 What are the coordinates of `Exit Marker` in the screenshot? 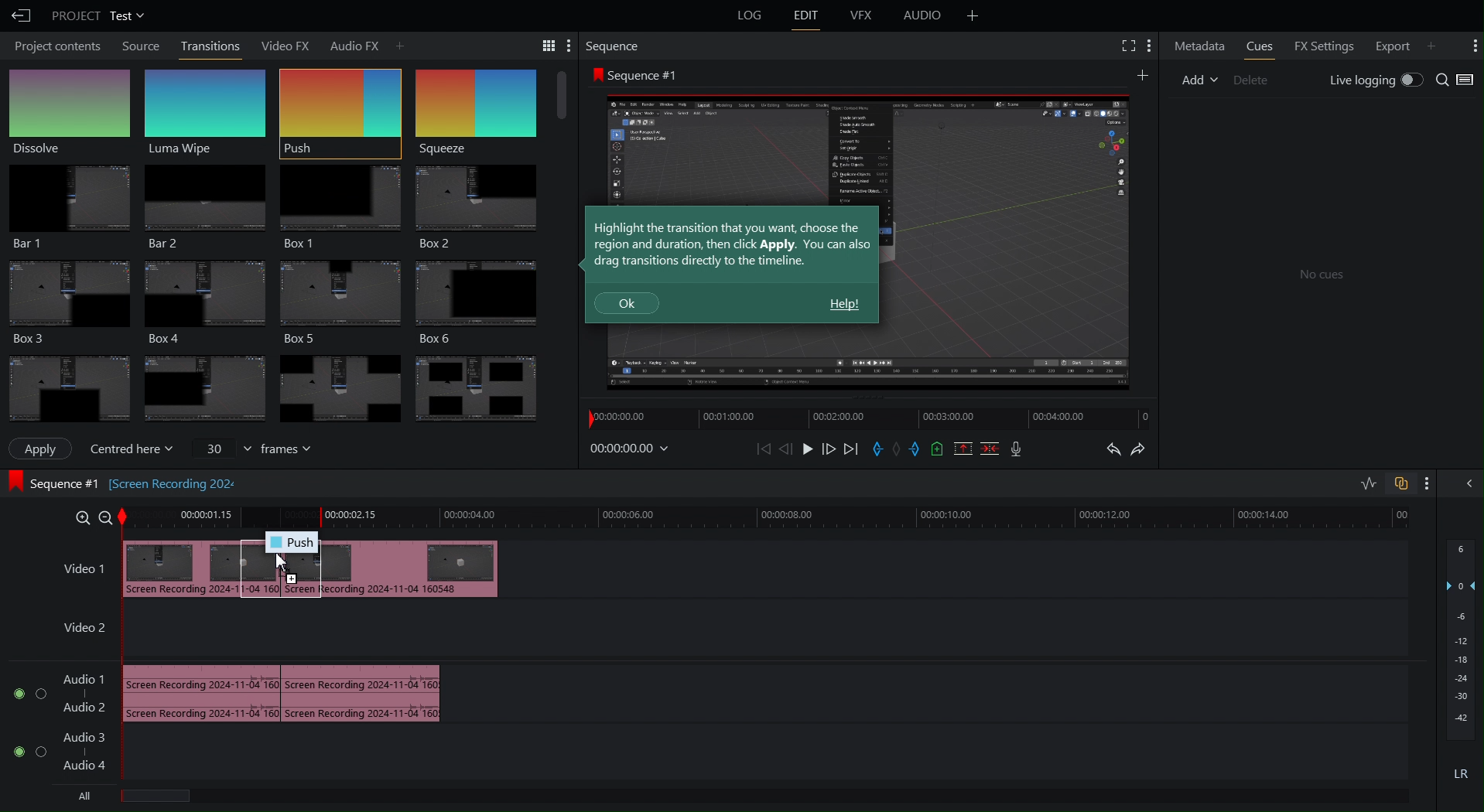 It's located at (919, 452).